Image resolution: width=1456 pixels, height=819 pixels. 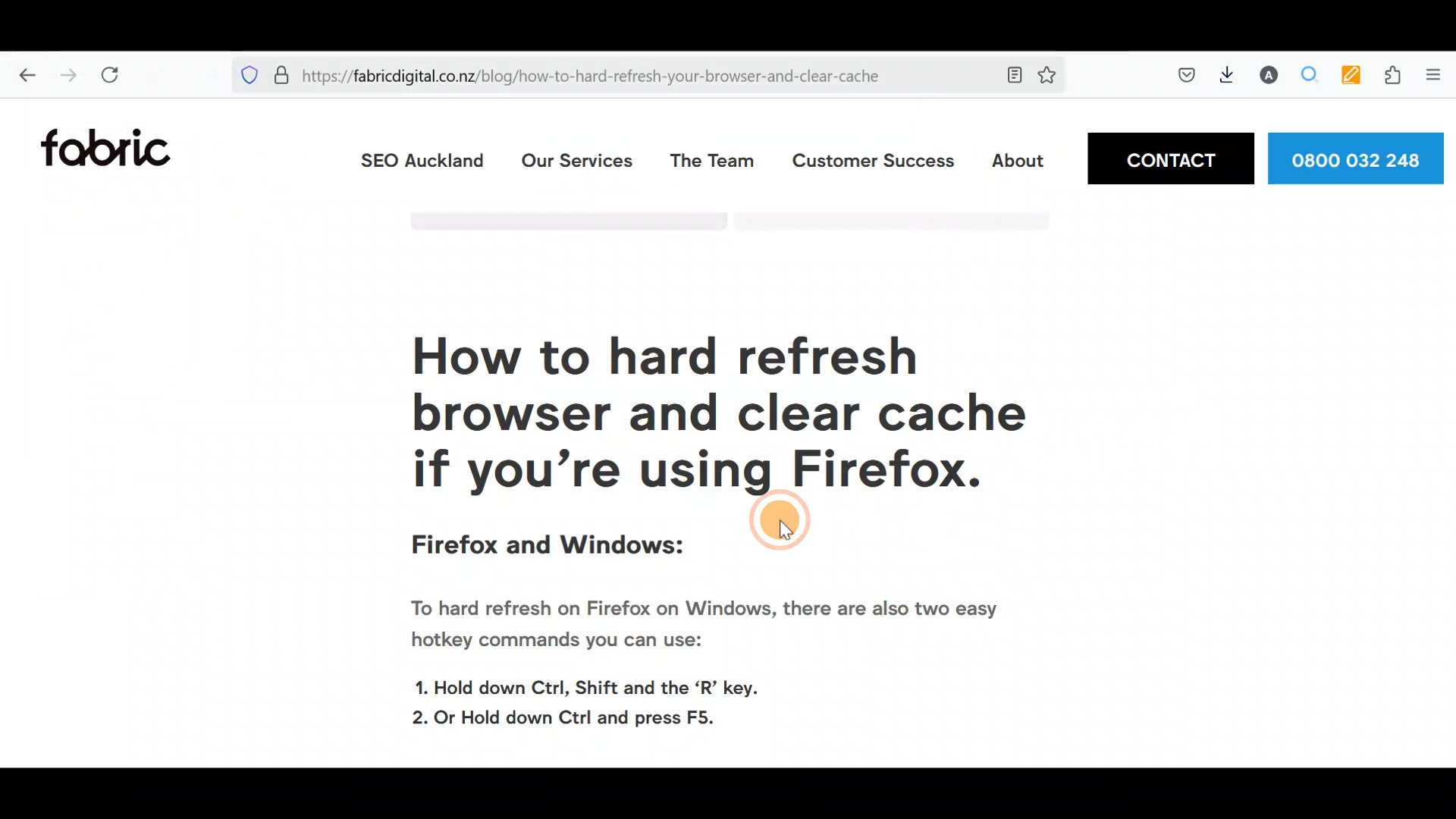 I want to click on SEO Auckland, so click(x=421, y=162).